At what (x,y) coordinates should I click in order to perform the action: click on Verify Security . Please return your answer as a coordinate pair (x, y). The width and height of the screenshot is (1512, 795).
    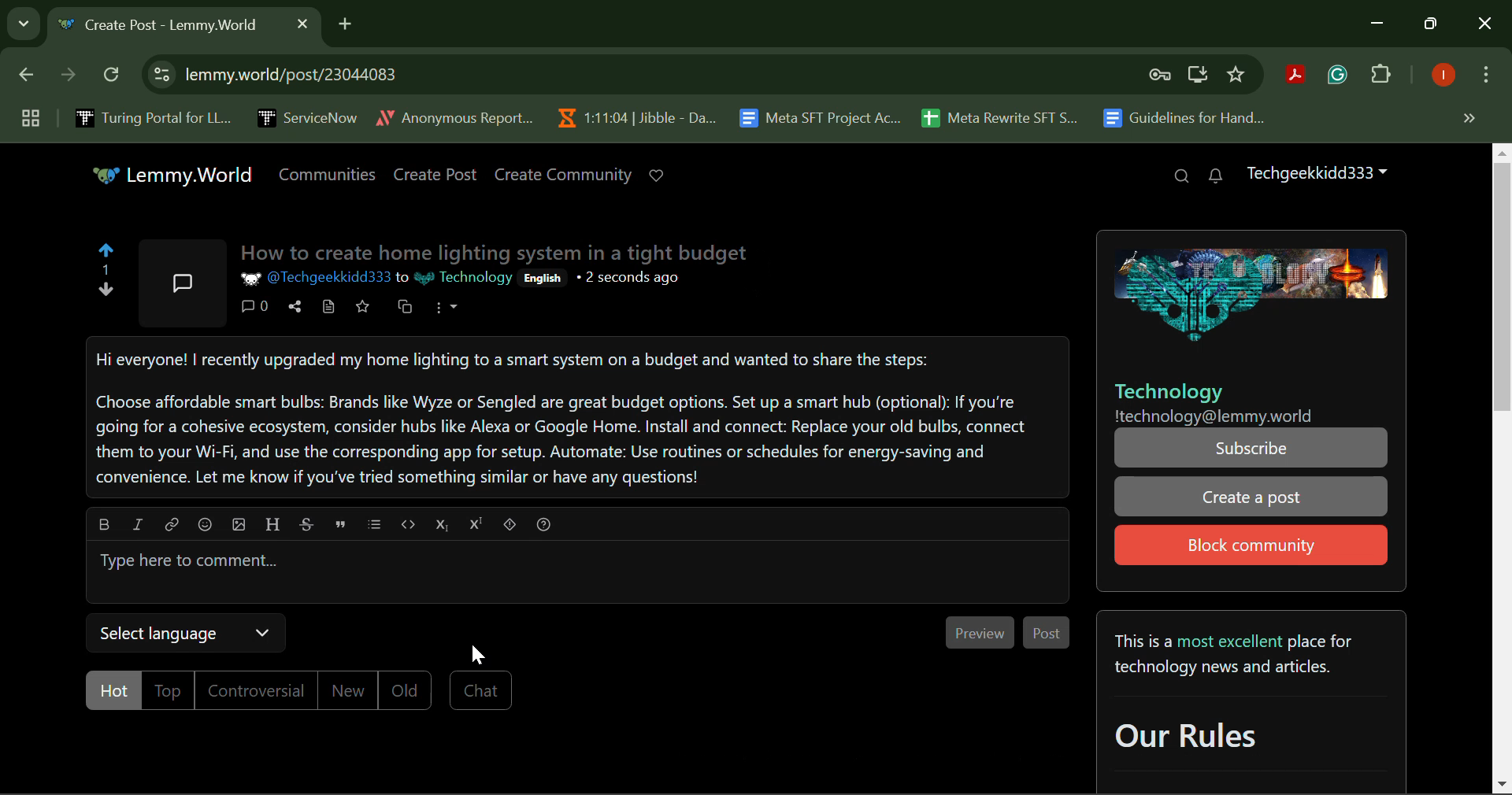
    Looking at the image, I should click on (1162, 75).